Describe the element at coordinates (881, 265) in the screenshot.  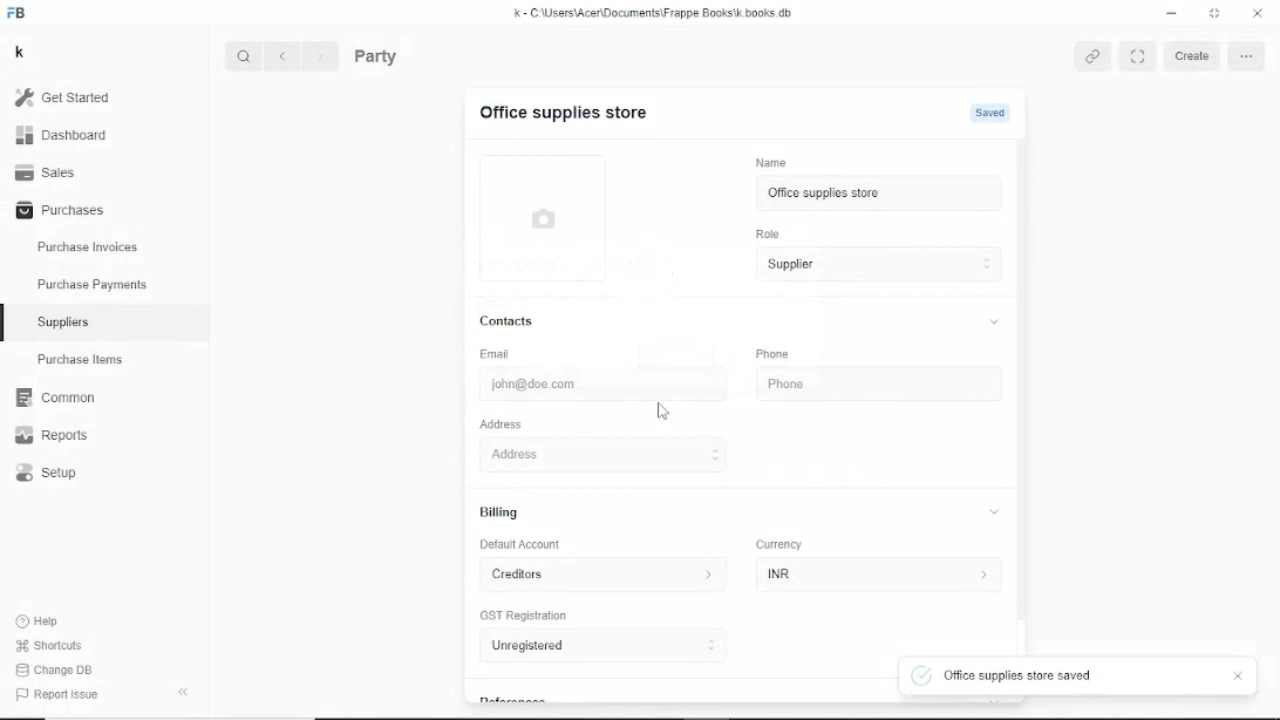
I see `Supplier` at that location.